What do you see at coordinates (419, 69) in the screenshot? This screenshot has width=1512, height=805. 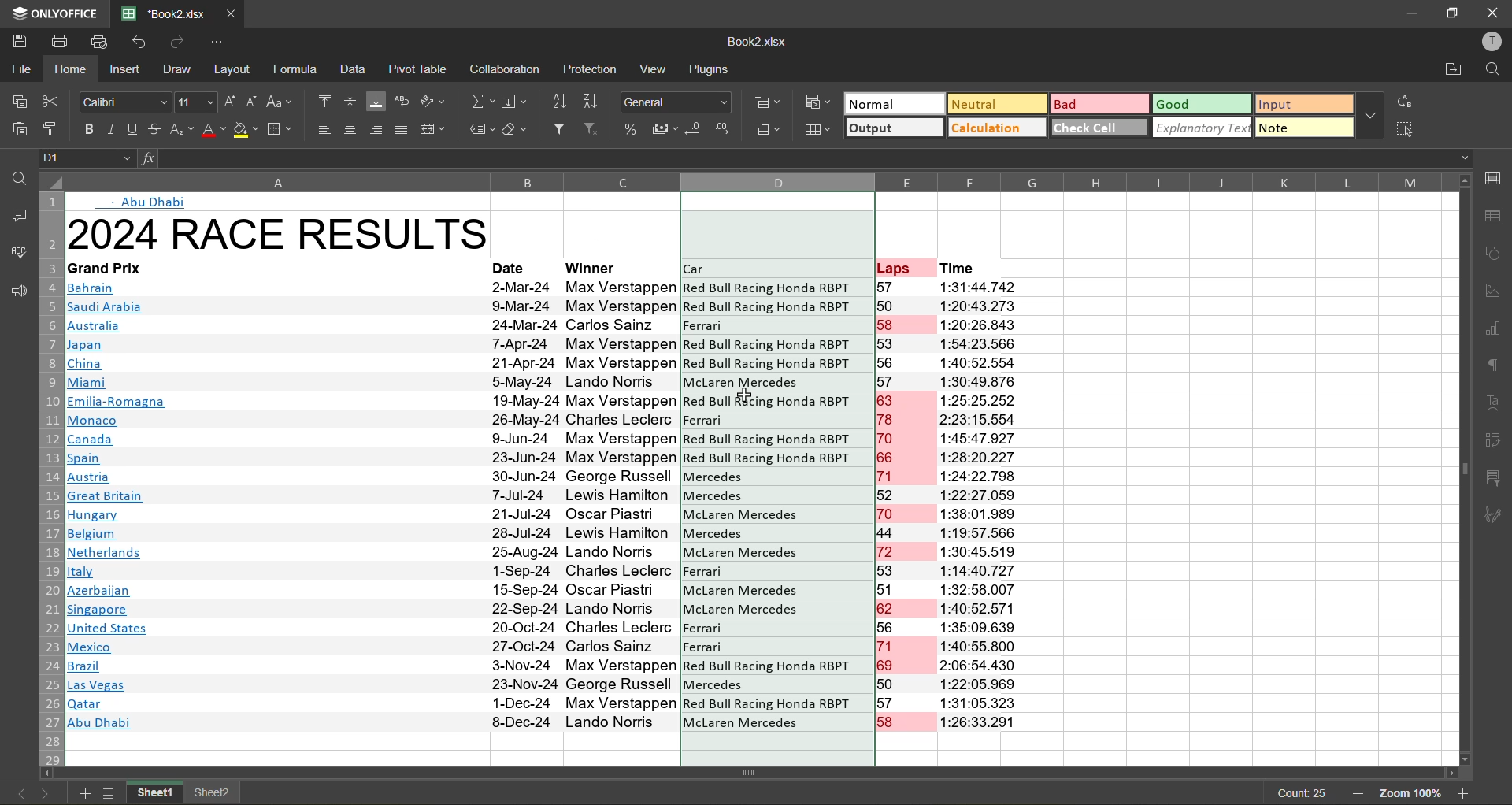 I see `pivot table` at bounding box center [419, 69].